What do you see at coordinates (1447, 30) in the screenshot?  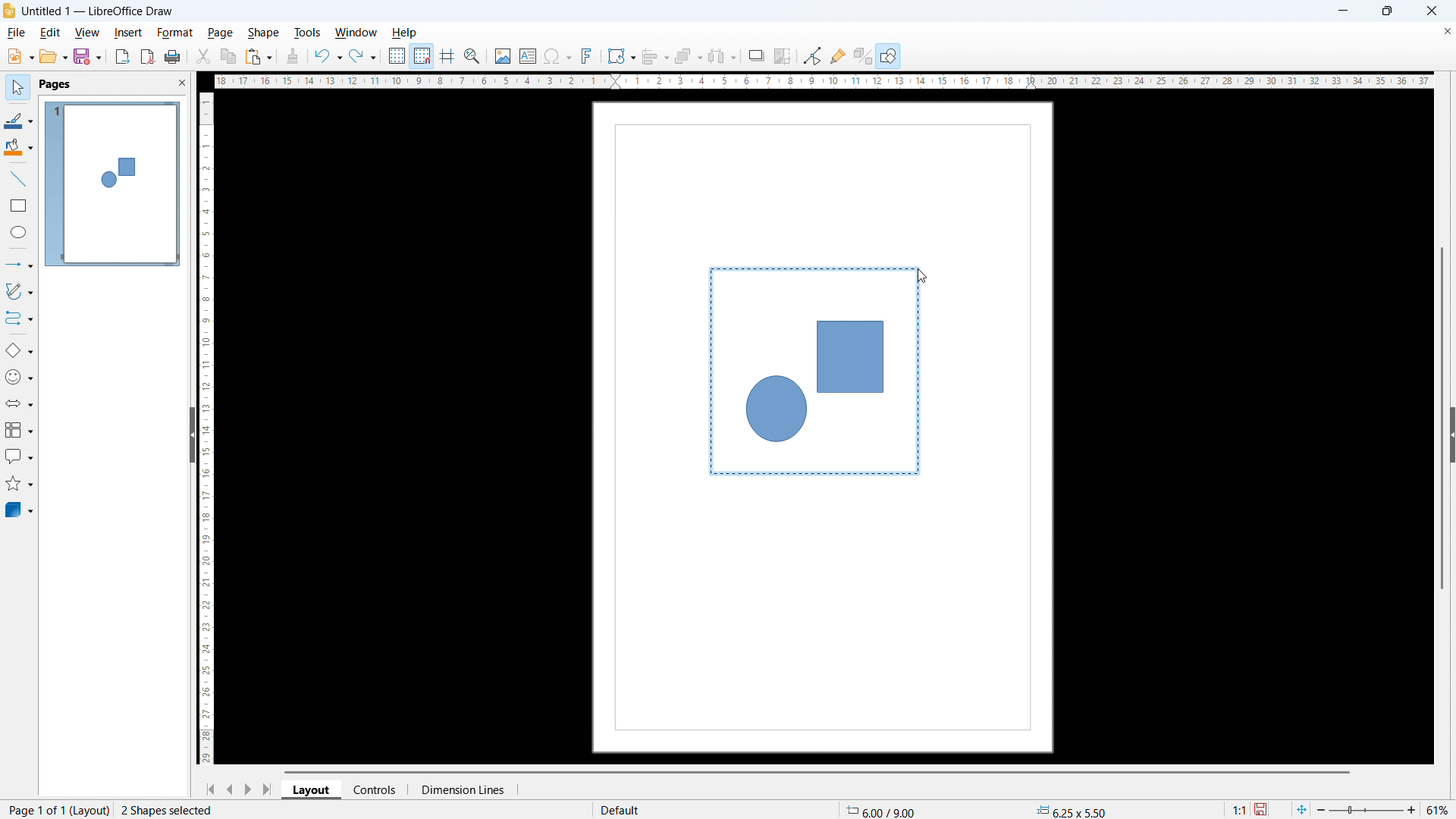 I see `close document` at bounding box center [1447, 30].